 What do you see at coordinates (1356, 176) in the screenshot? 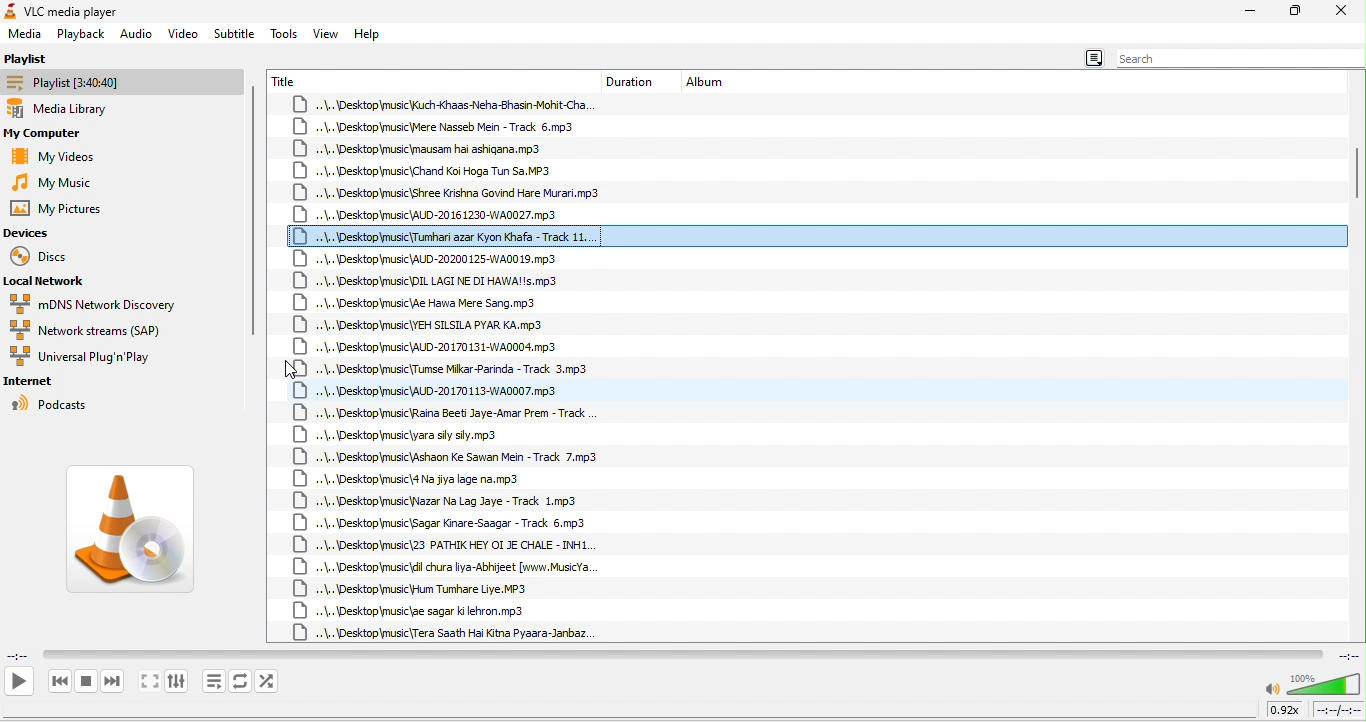
I see `vertical scroll bar` at bounding box center [1356, 176].